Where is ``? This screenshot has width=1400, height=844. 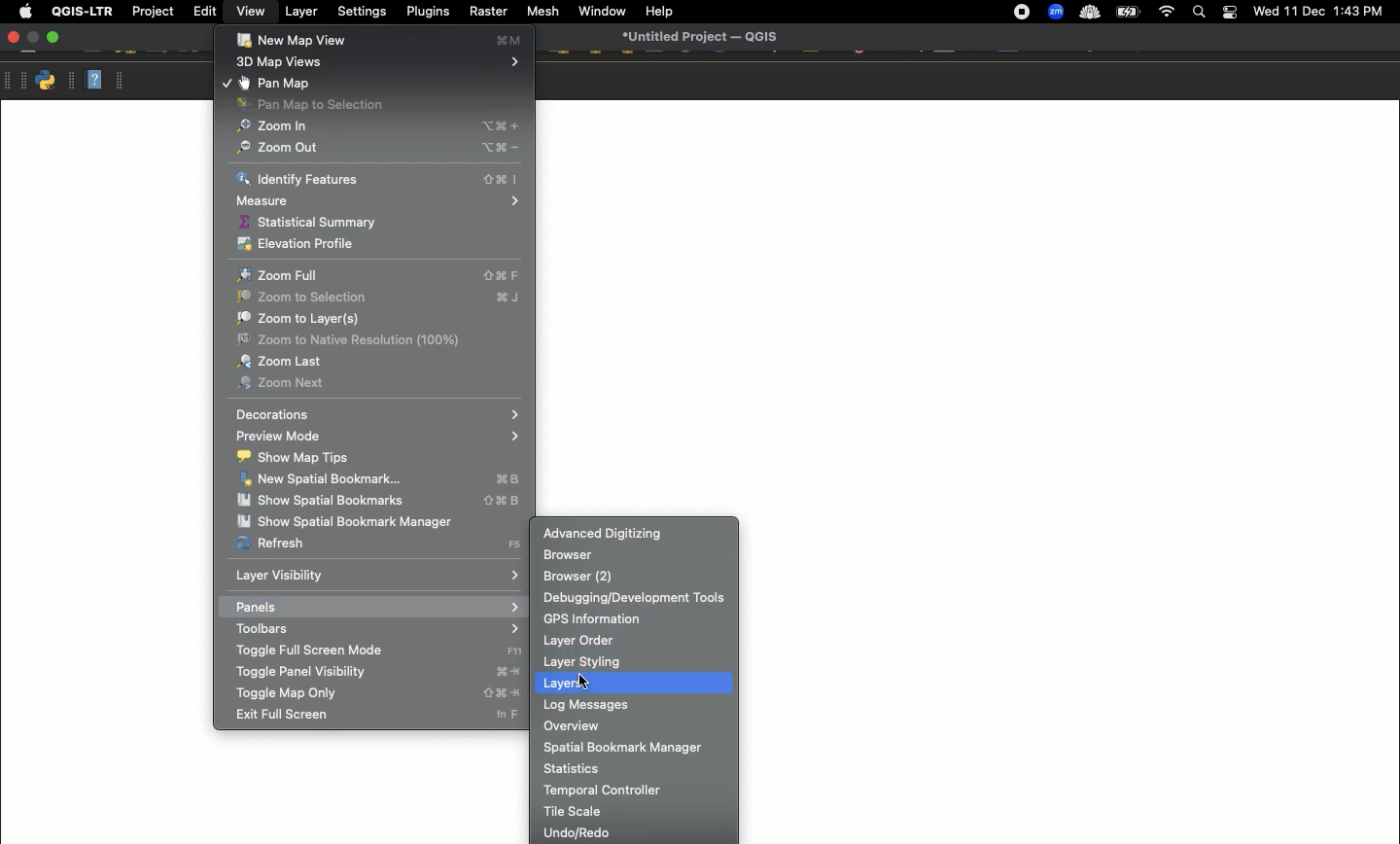  is located at coordinates (24, 80).